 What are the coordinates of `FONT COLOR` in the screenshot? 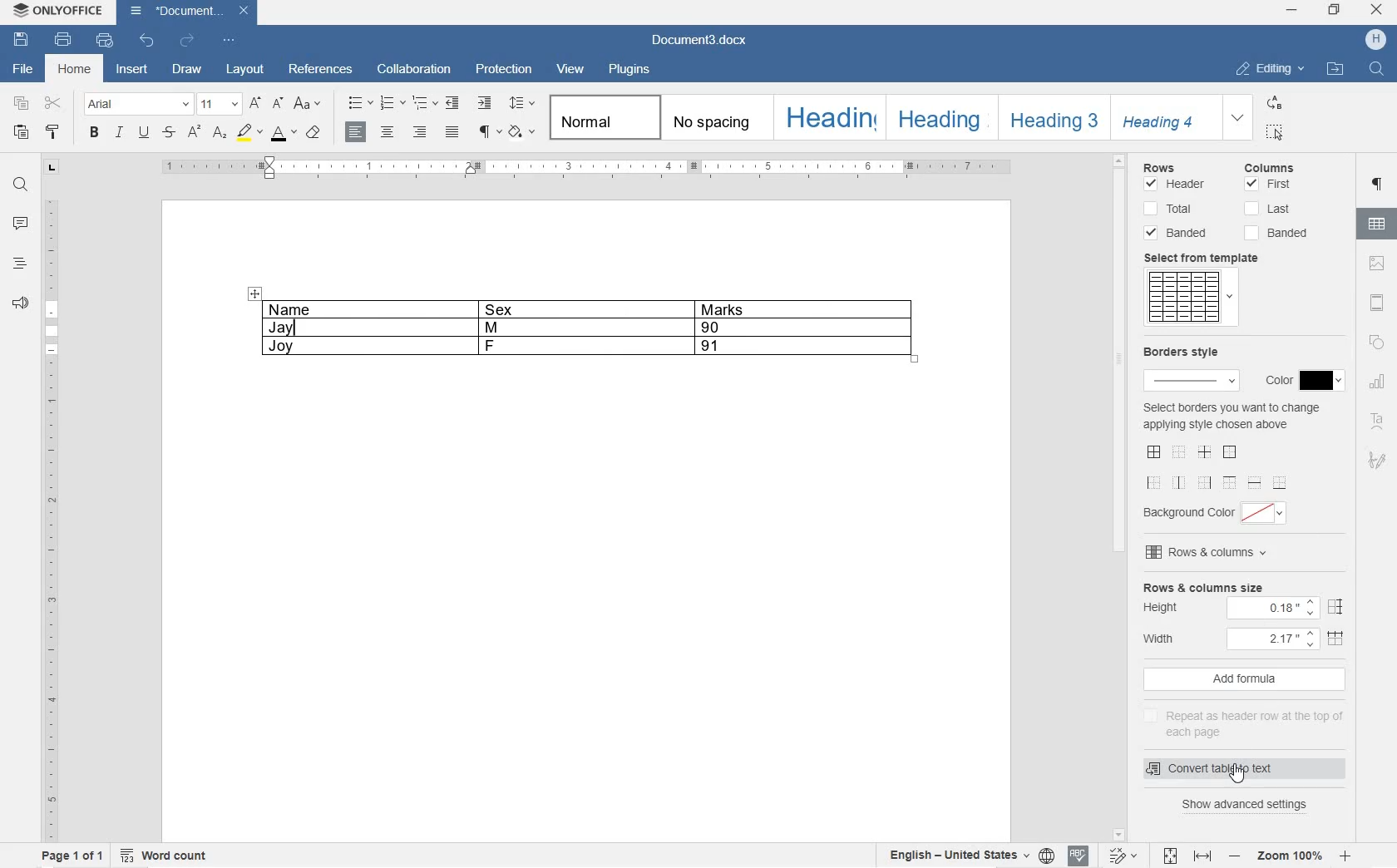 It's located at (284, 136).